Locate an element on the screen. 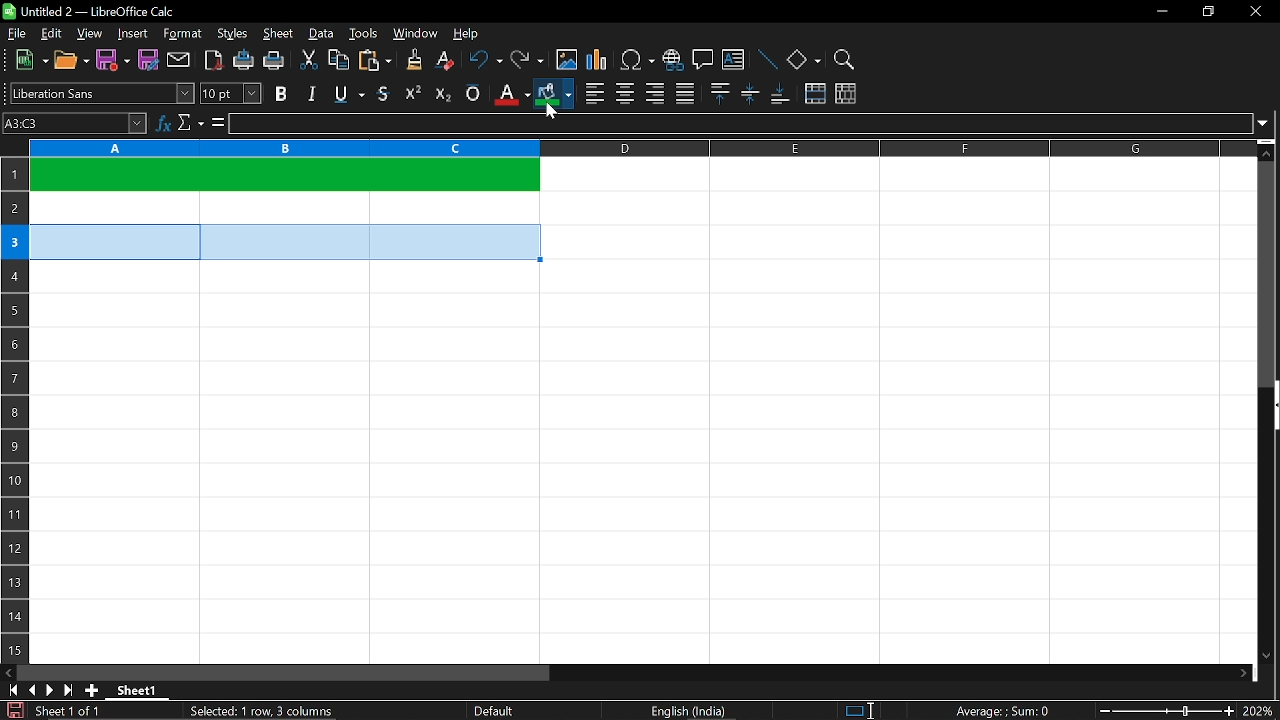 The image size is (1280, 720). format is located at coordinates (183, 34).